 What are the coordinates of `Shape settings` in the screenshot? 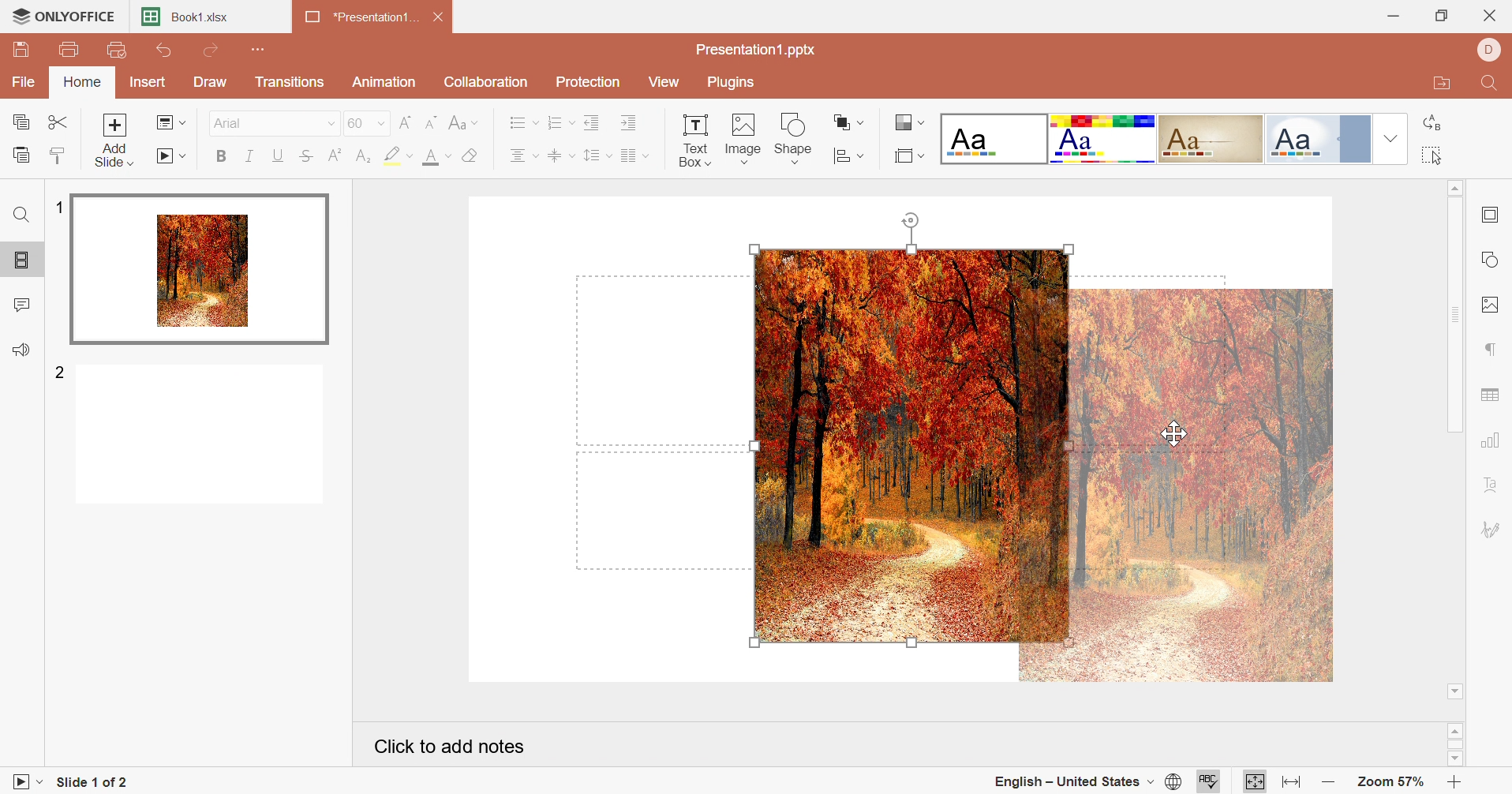 It's located at (1492, 259).